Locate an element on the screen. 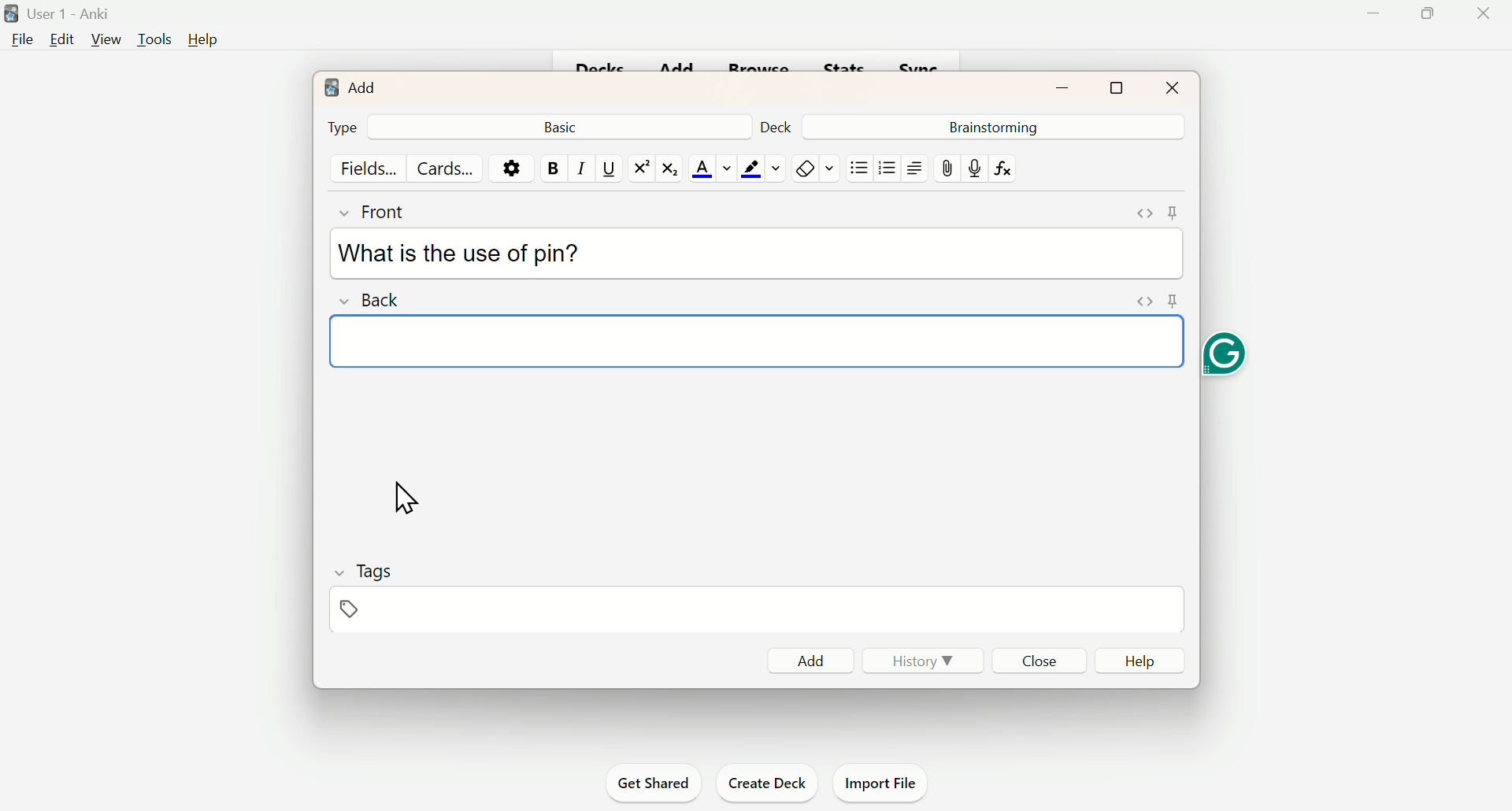  Get Shared is located at coordinates (659, 783).